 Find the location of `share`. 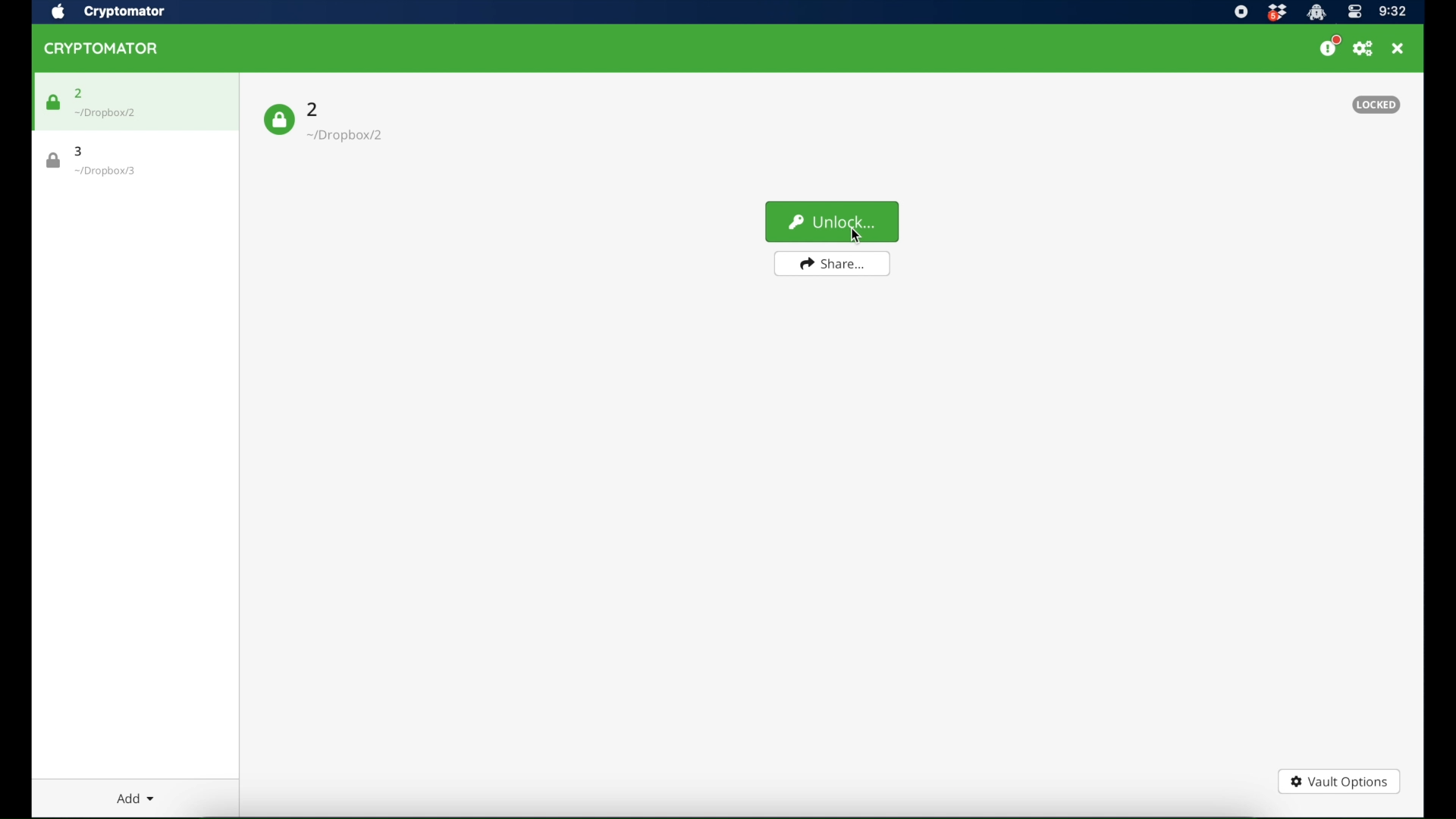

share is located at coordinates (830, 263).